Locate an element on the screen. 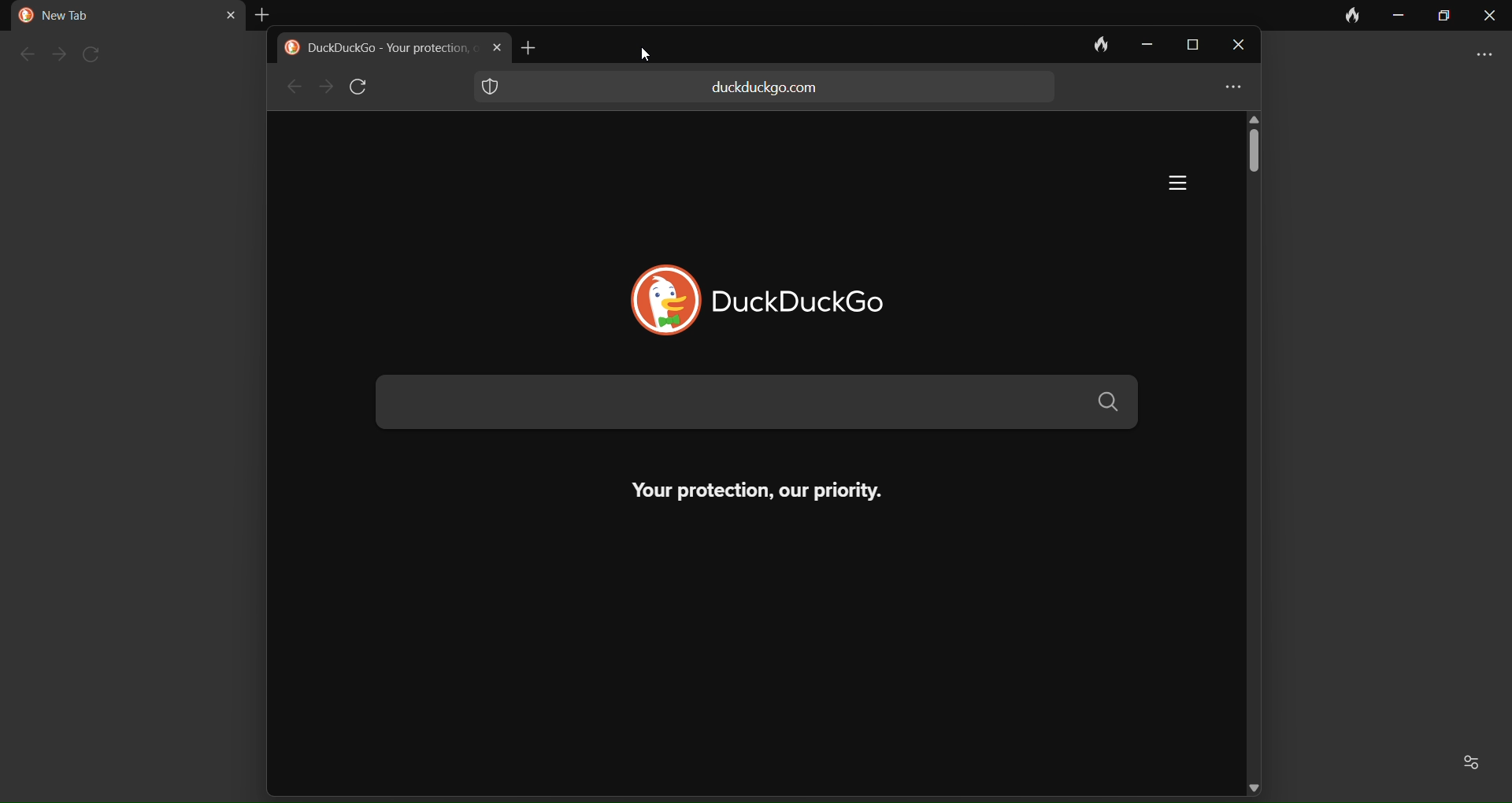  back is located at coordinates (291, 87).